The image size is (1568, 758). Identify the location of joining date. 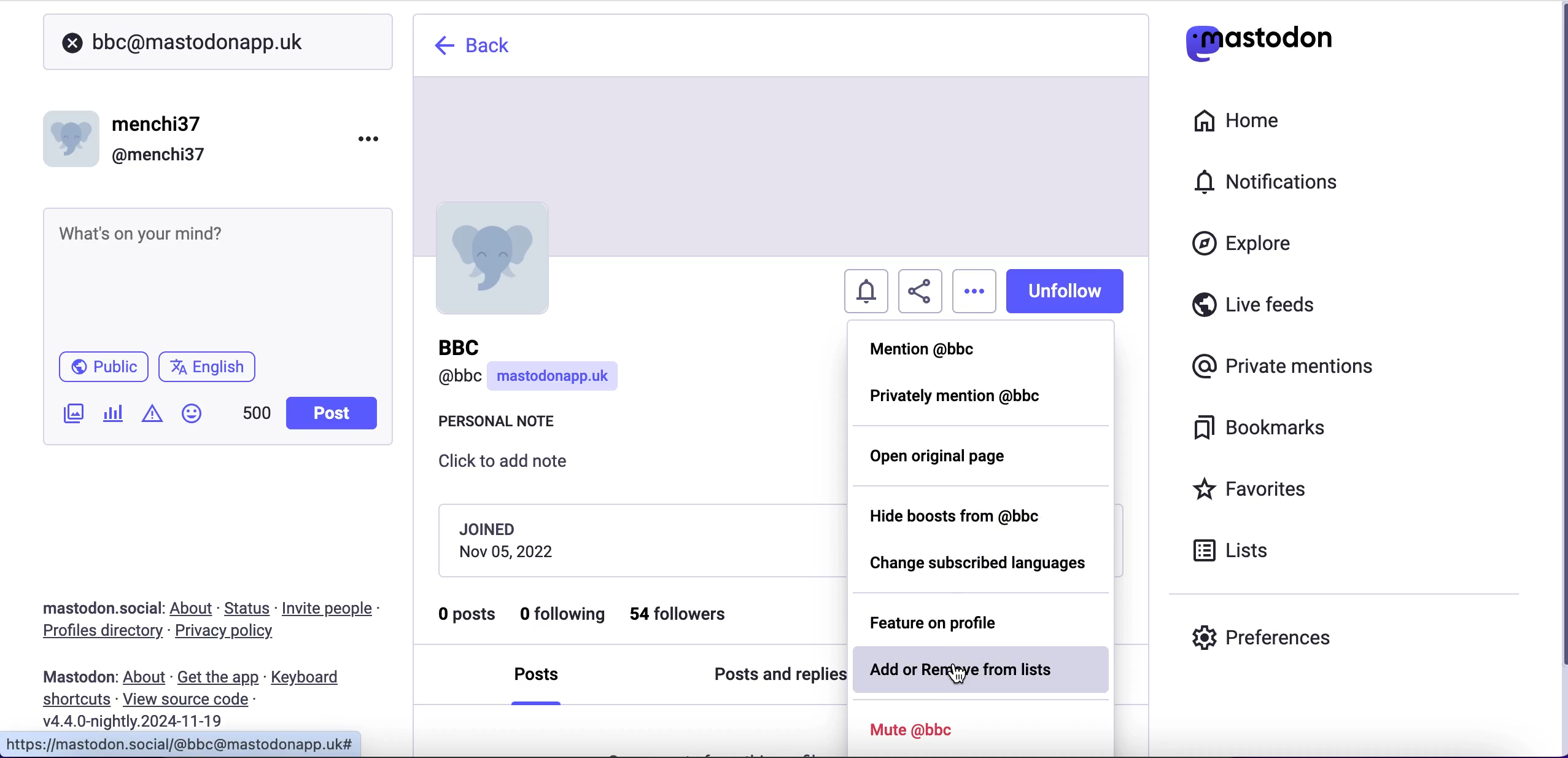
(635, 548).